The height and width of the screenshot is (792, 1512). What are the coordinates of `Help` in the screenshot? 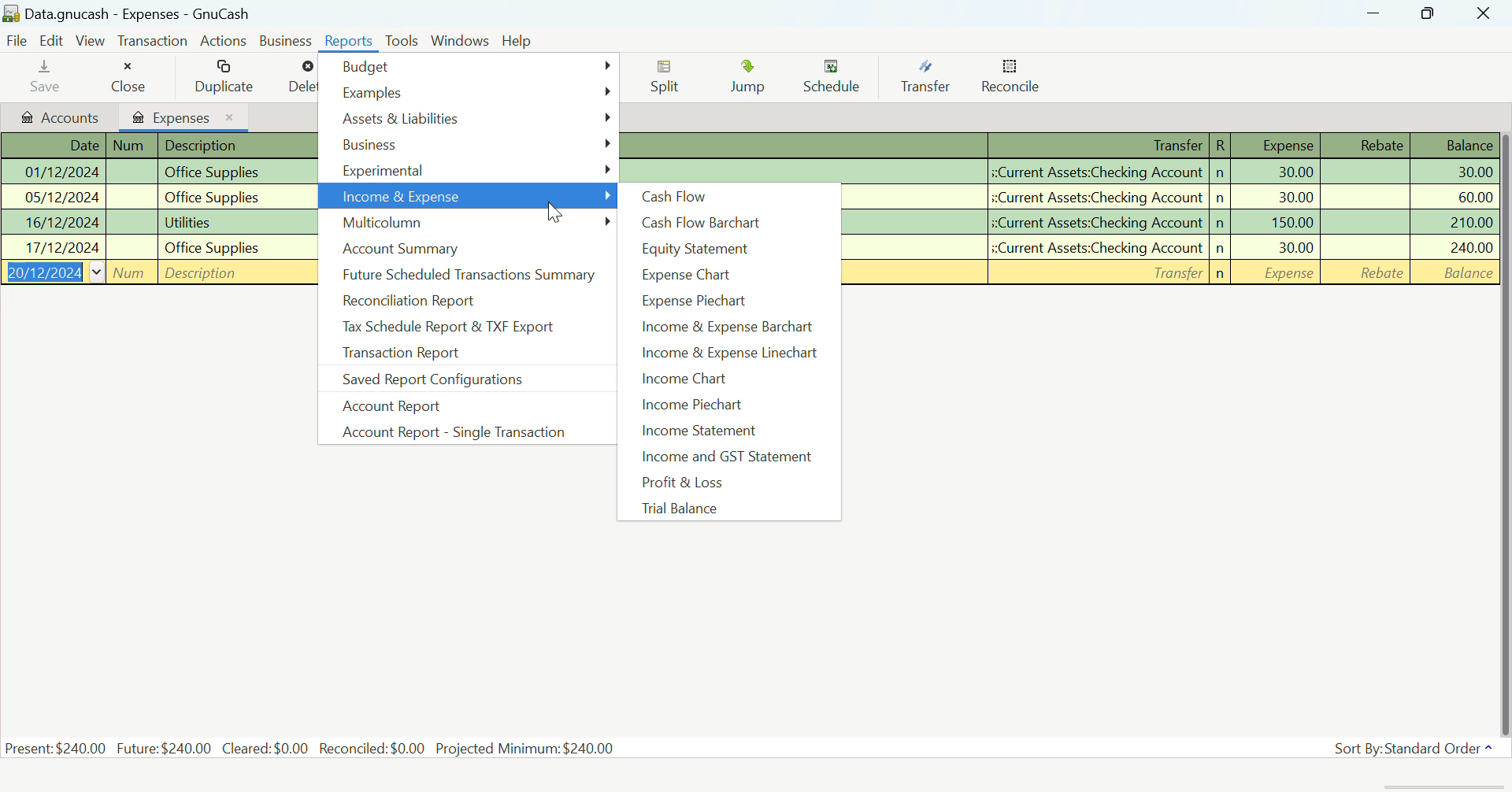 It's located at (518, 39).